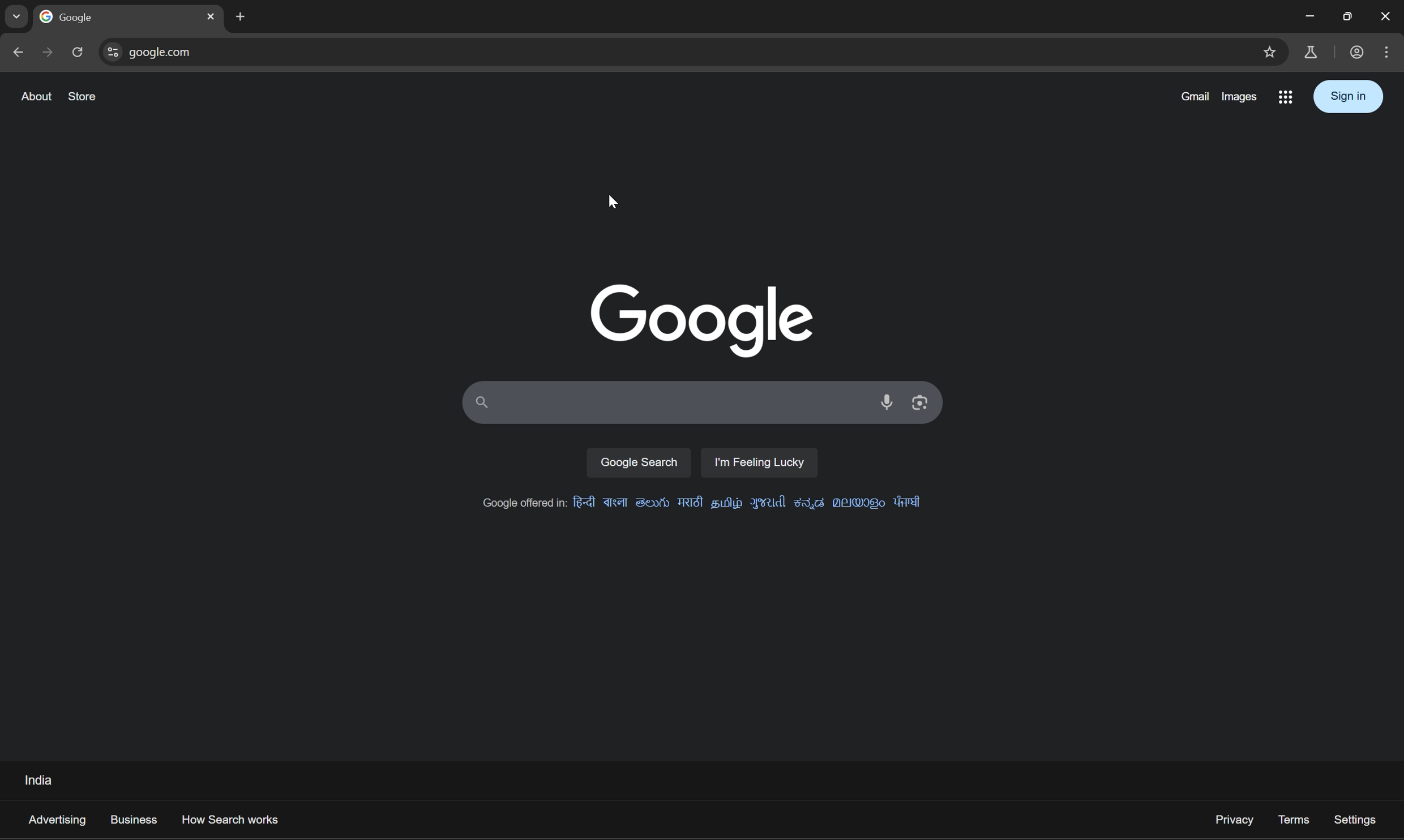 The width and height of the screenshot is (1404, 840). Describe the element at coordinates (700, 504) in the screenshot. I see `Google offered in:` at that location.